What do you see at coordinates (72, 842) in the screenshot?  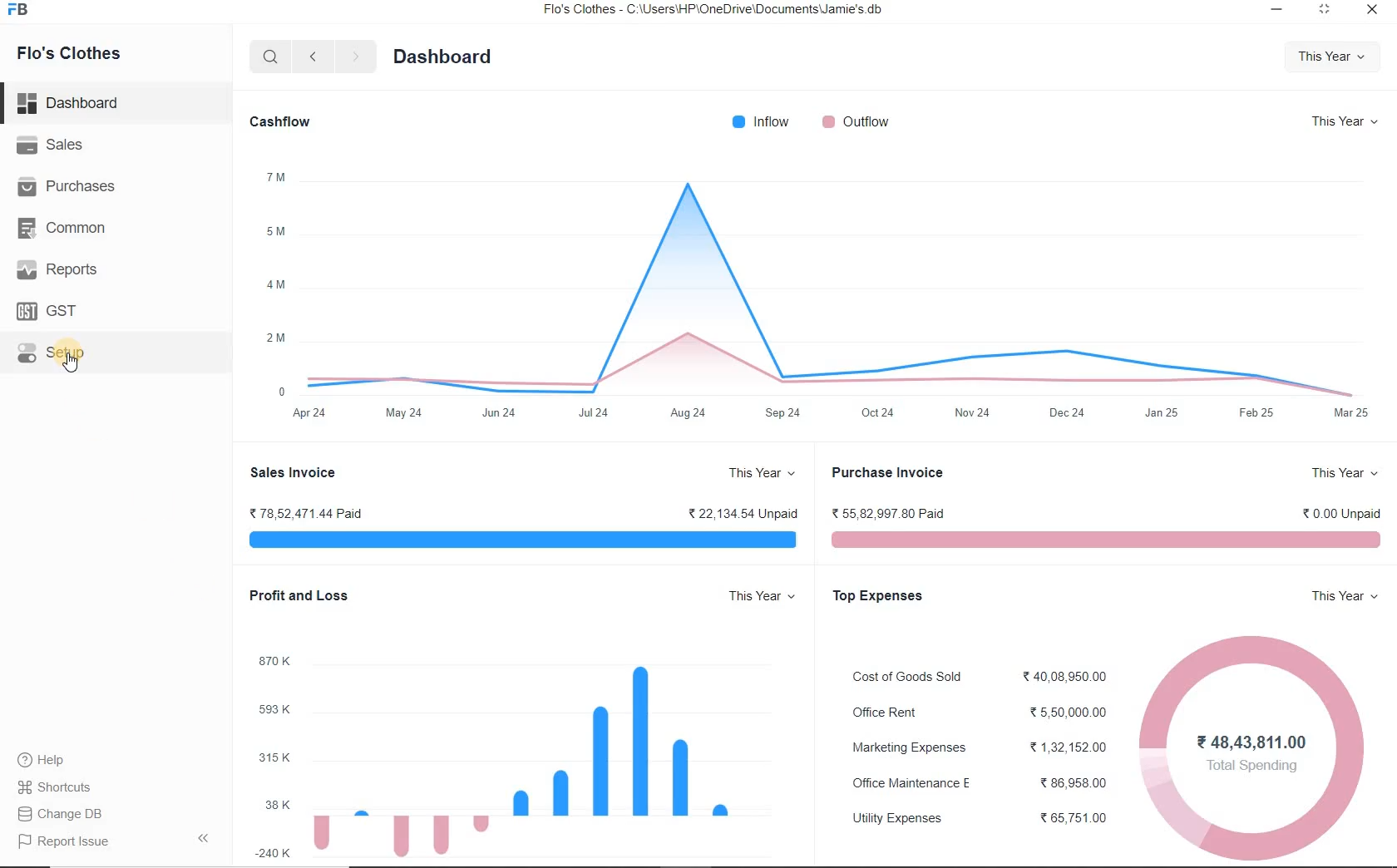 I see `report issue` at bounding box center [72, 842].